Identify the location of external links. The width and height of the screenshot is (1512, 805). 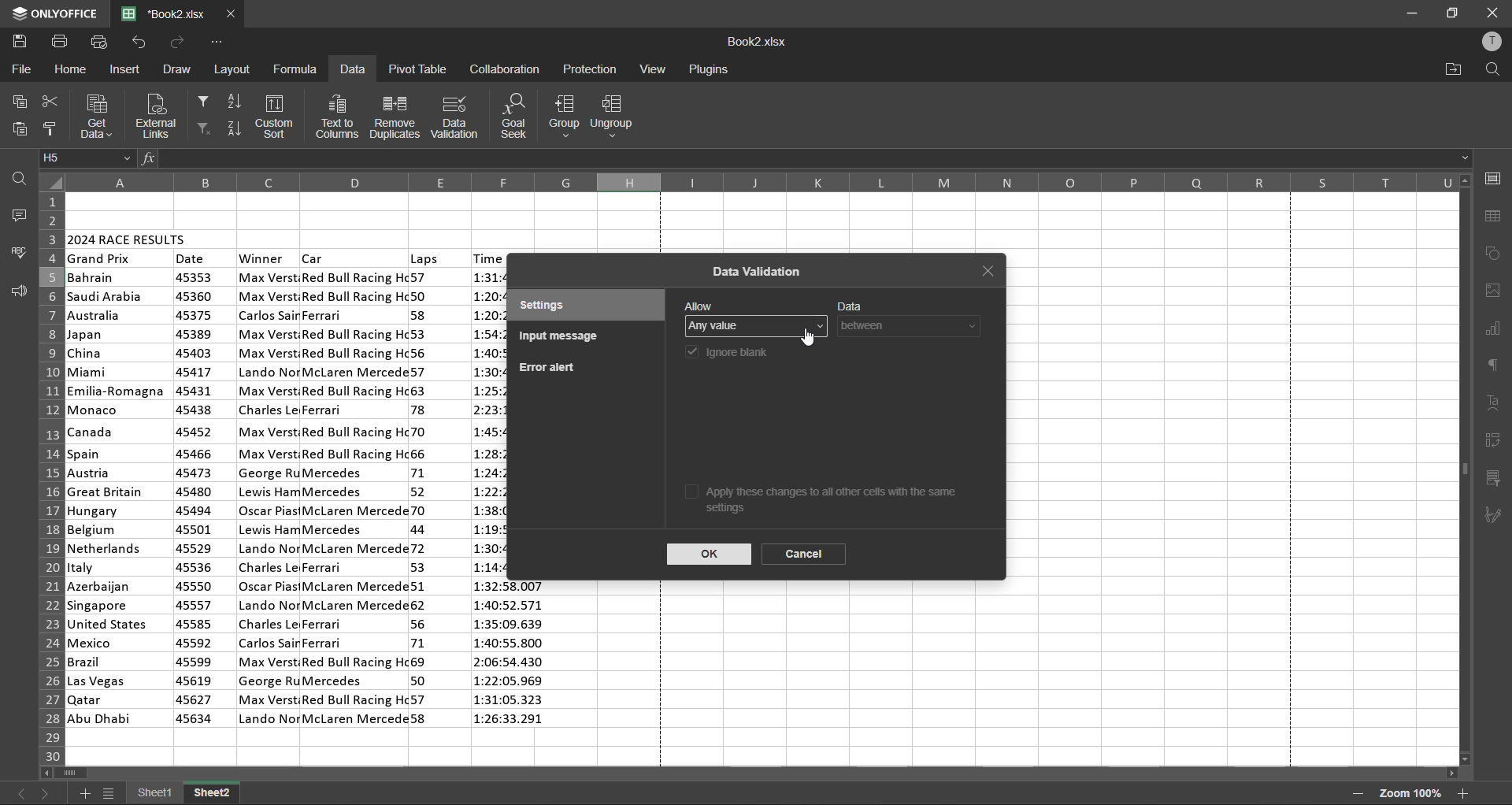
(160, 115).